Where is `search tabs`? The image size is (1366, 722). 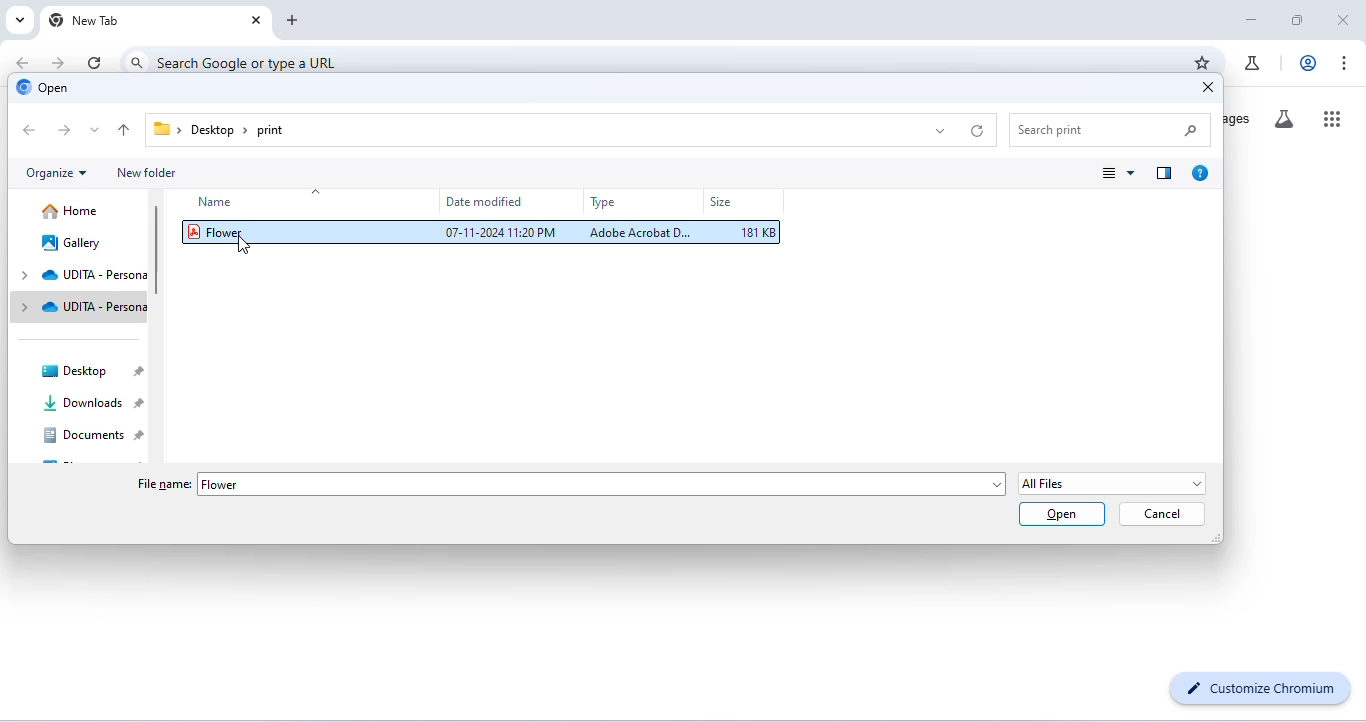
search tabs is located at coordinates (20, 20).